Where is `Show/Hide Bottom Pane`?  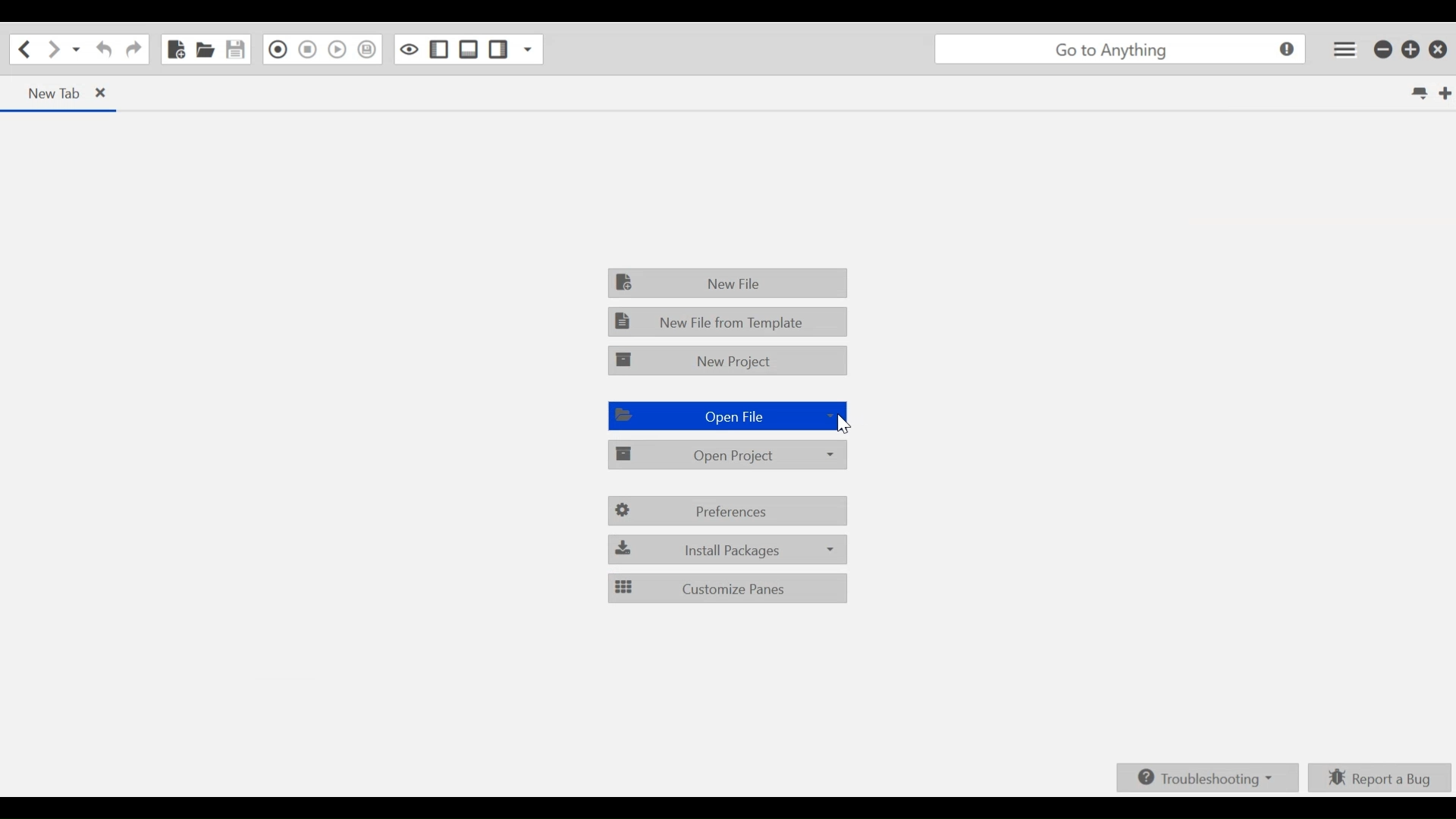 Show/Hide Bottom Pane is located at coordinates (469, 50).